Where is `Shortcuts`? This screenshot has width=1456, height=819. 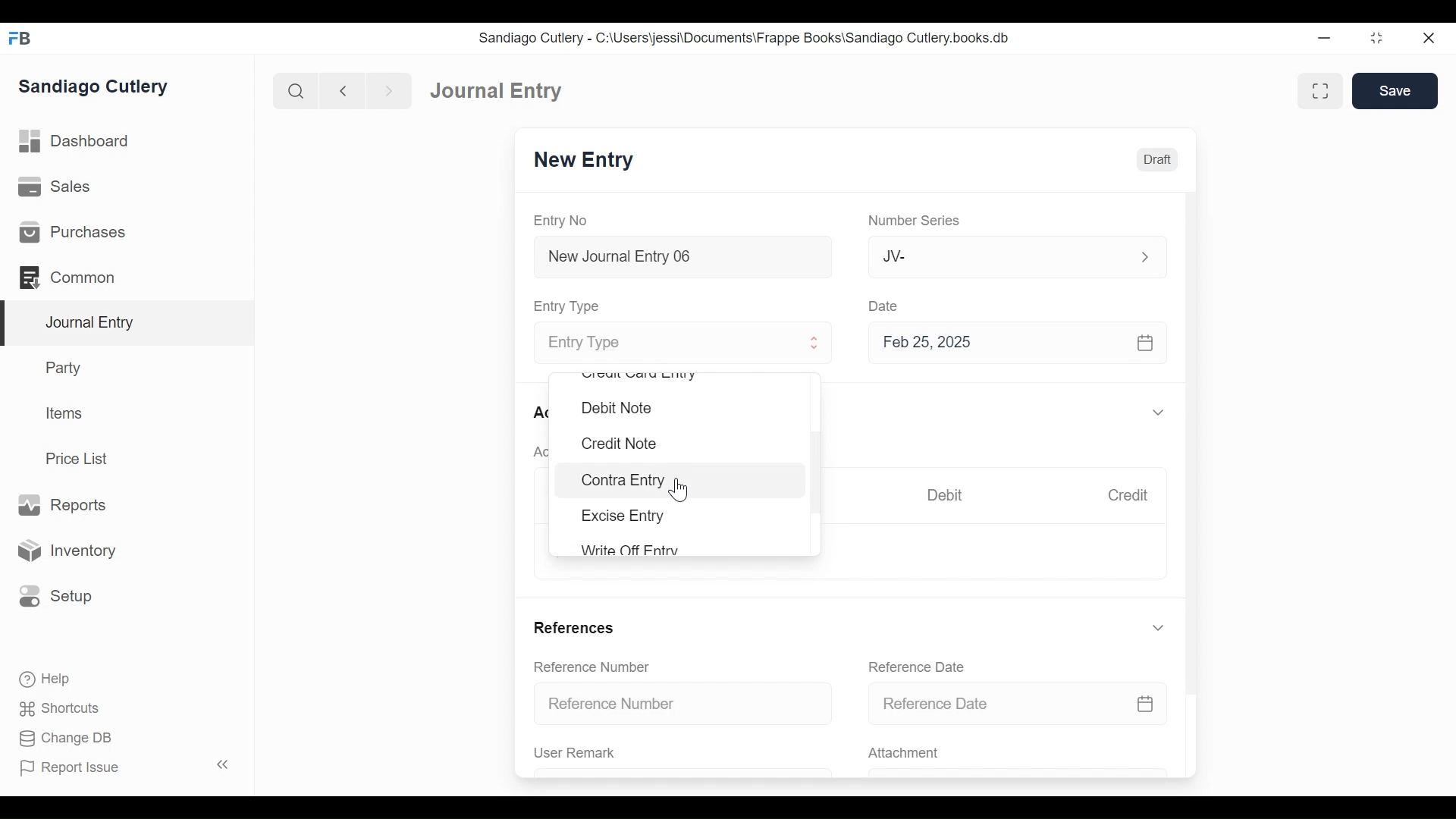
Shortcuts is located at coordinates (64, 708).